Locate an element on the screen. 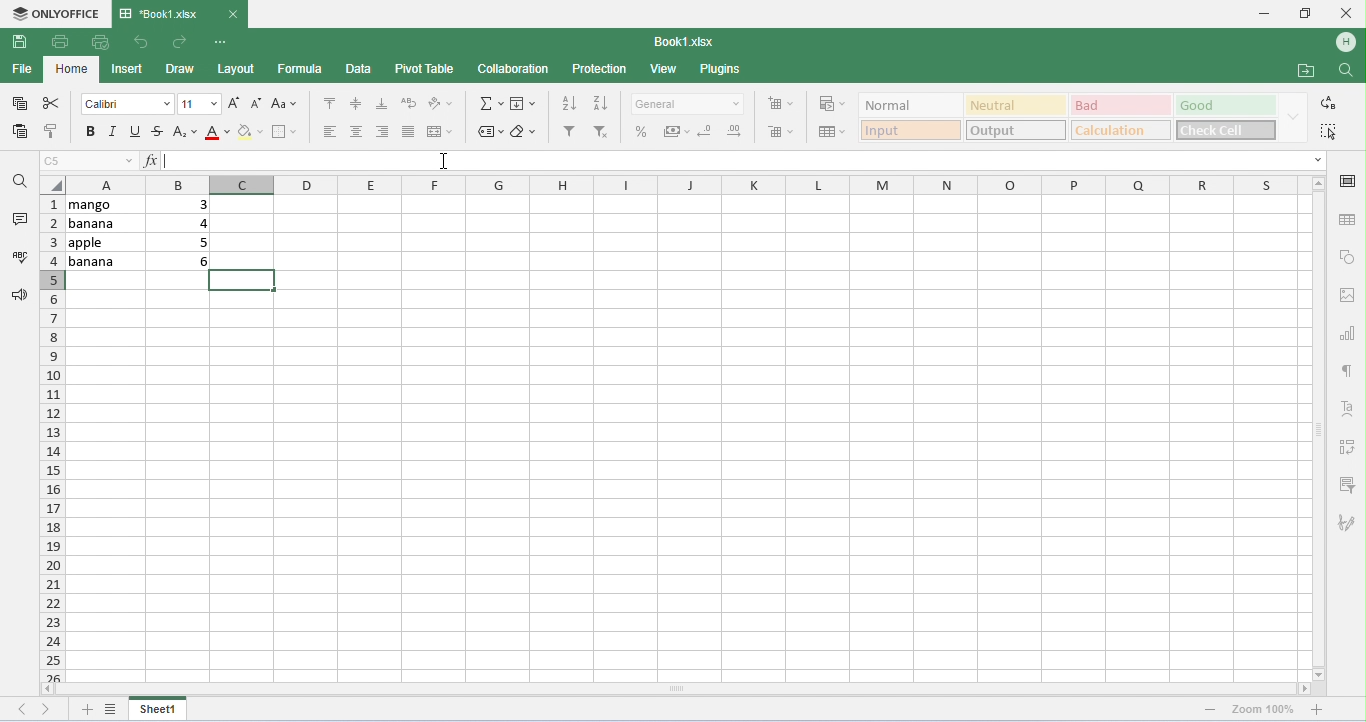  list of sheets is located at coordinates (111, 708).